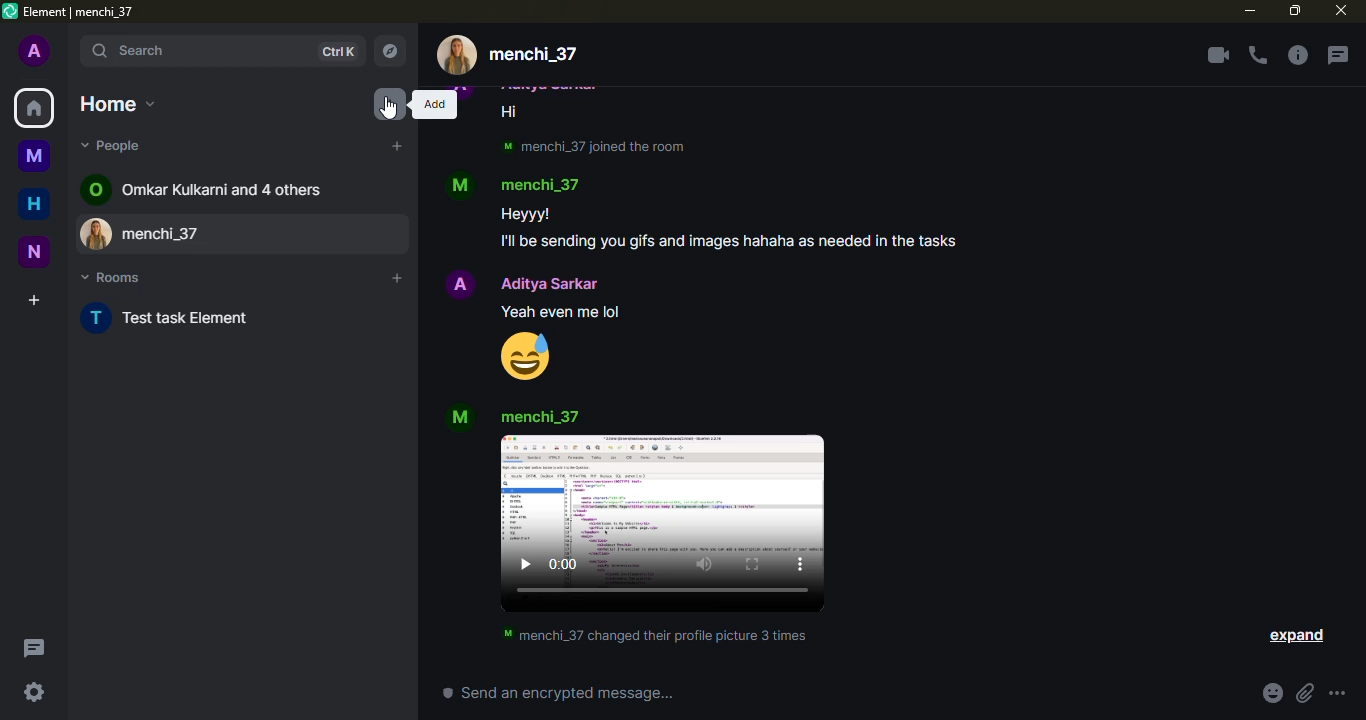 Image resolution: width=1366 pixels, height=720 pixels. Describe the element at coordinates (1250, 10) in the screenshot. I see `minimize` at that location.